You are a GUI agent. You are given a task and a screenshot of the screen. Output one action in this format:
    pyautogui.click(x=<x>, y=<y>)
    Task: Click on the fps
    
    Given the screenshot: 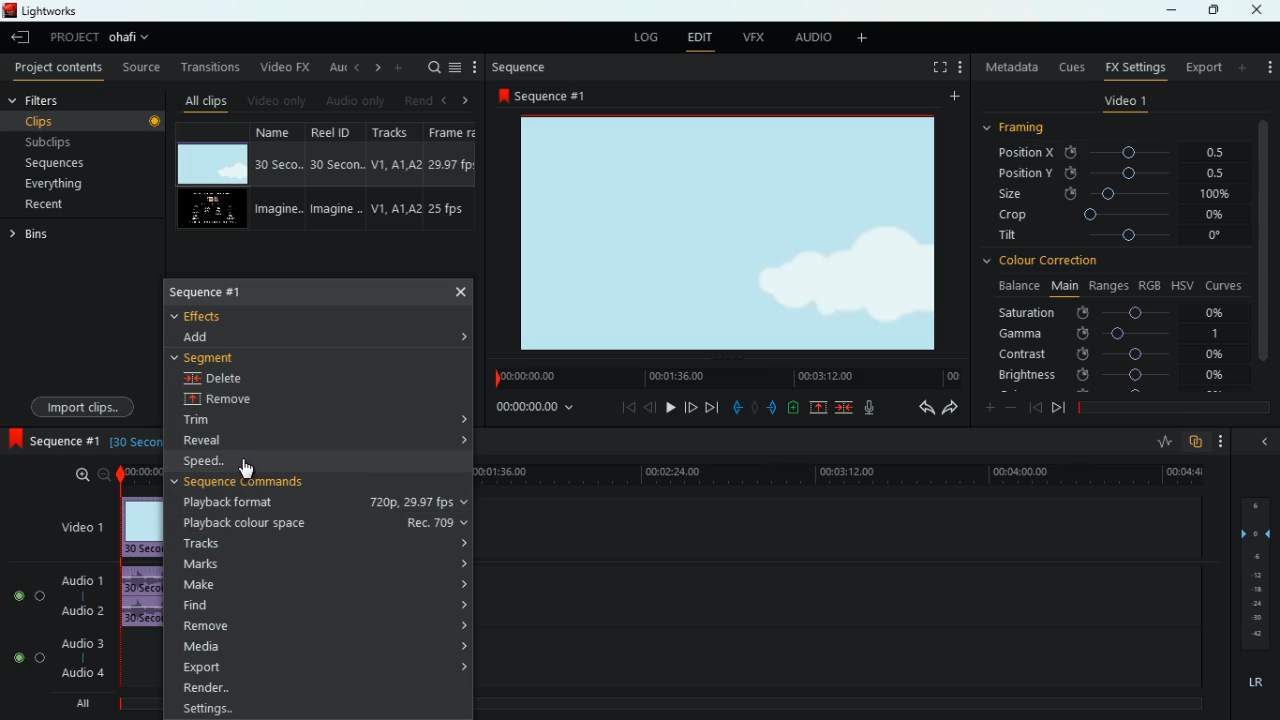 What is the action you would take?
    pyautogui.click(x=448, y=176)
    